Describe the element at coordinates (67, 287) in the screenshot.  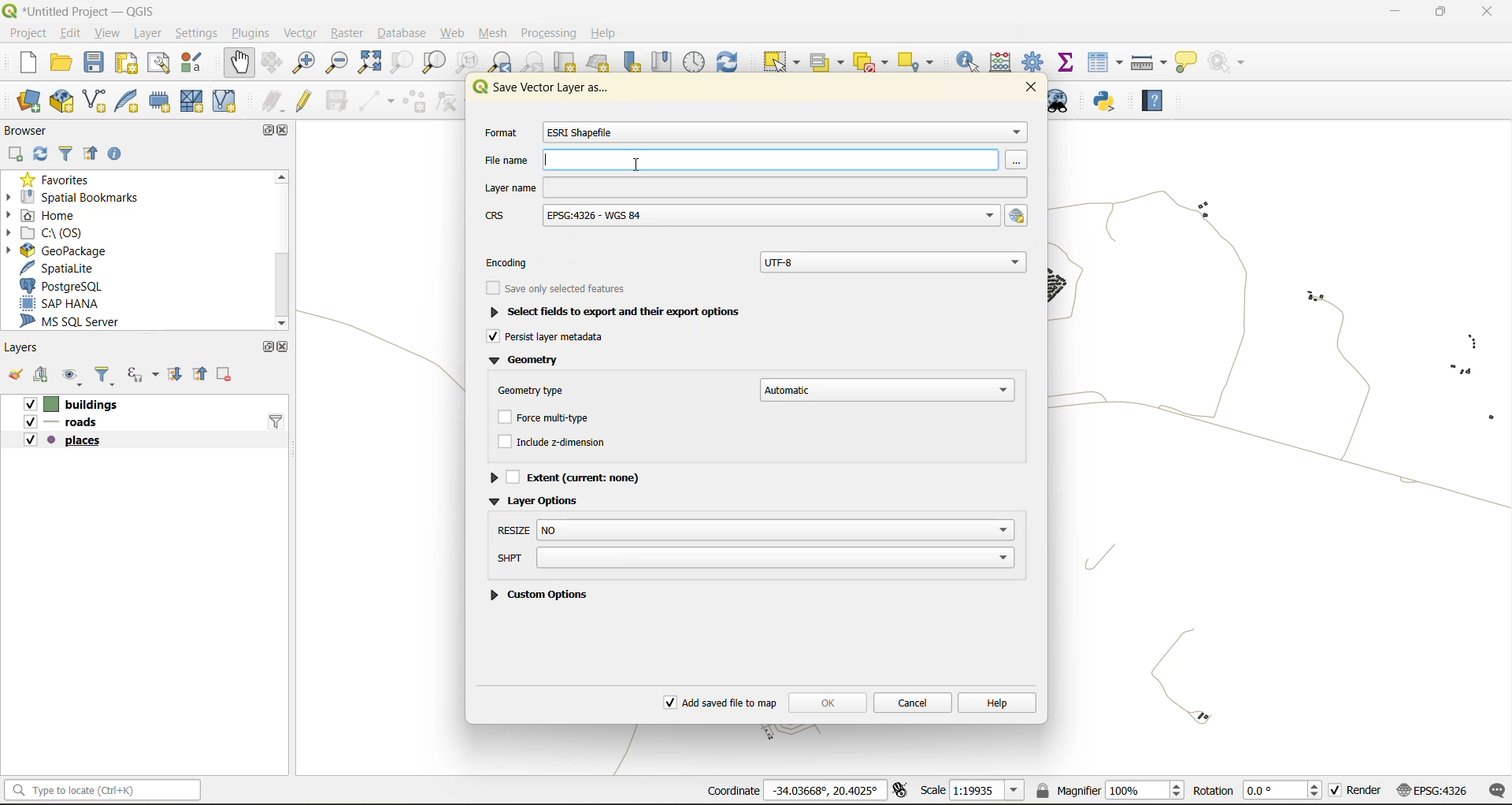
I see `postgresql` at that location.